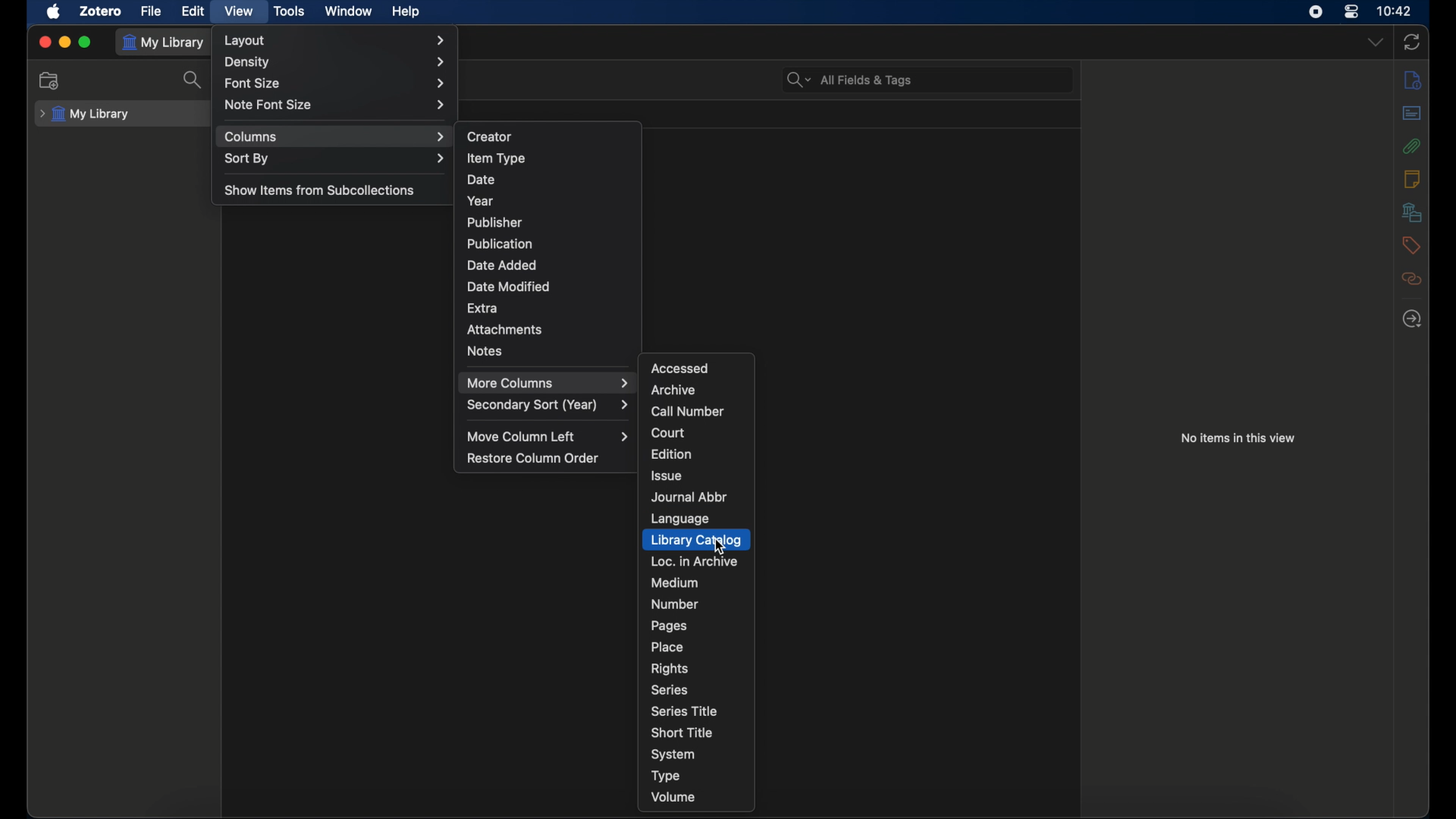 The image size is (1456, 819). What do you see at coordinates (501, 265) in the screenshot?
I see `date added` at bounding box center [501, 265].